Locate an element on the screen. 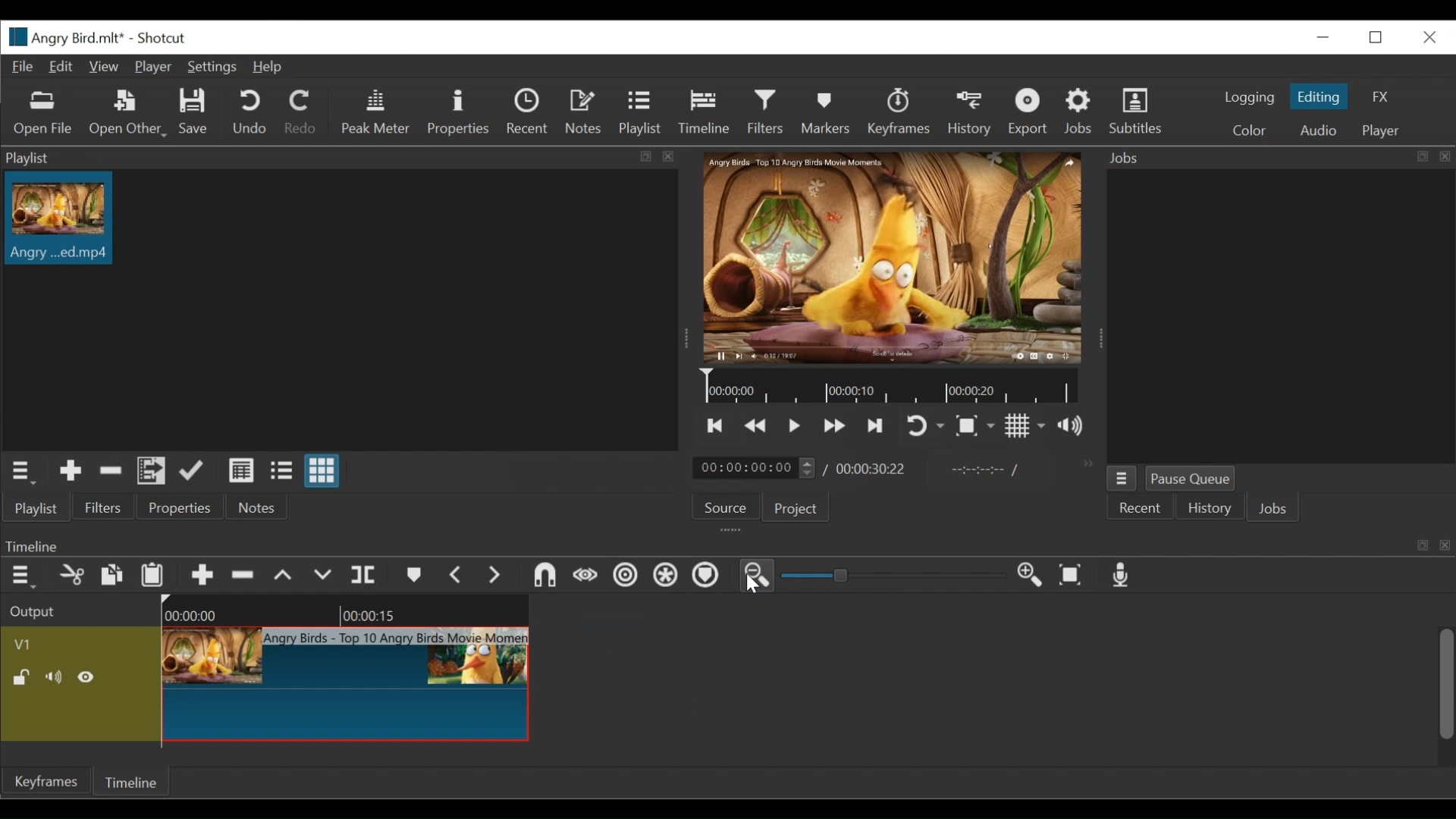  Zoom timeline out is located at coordinates (757, 576).